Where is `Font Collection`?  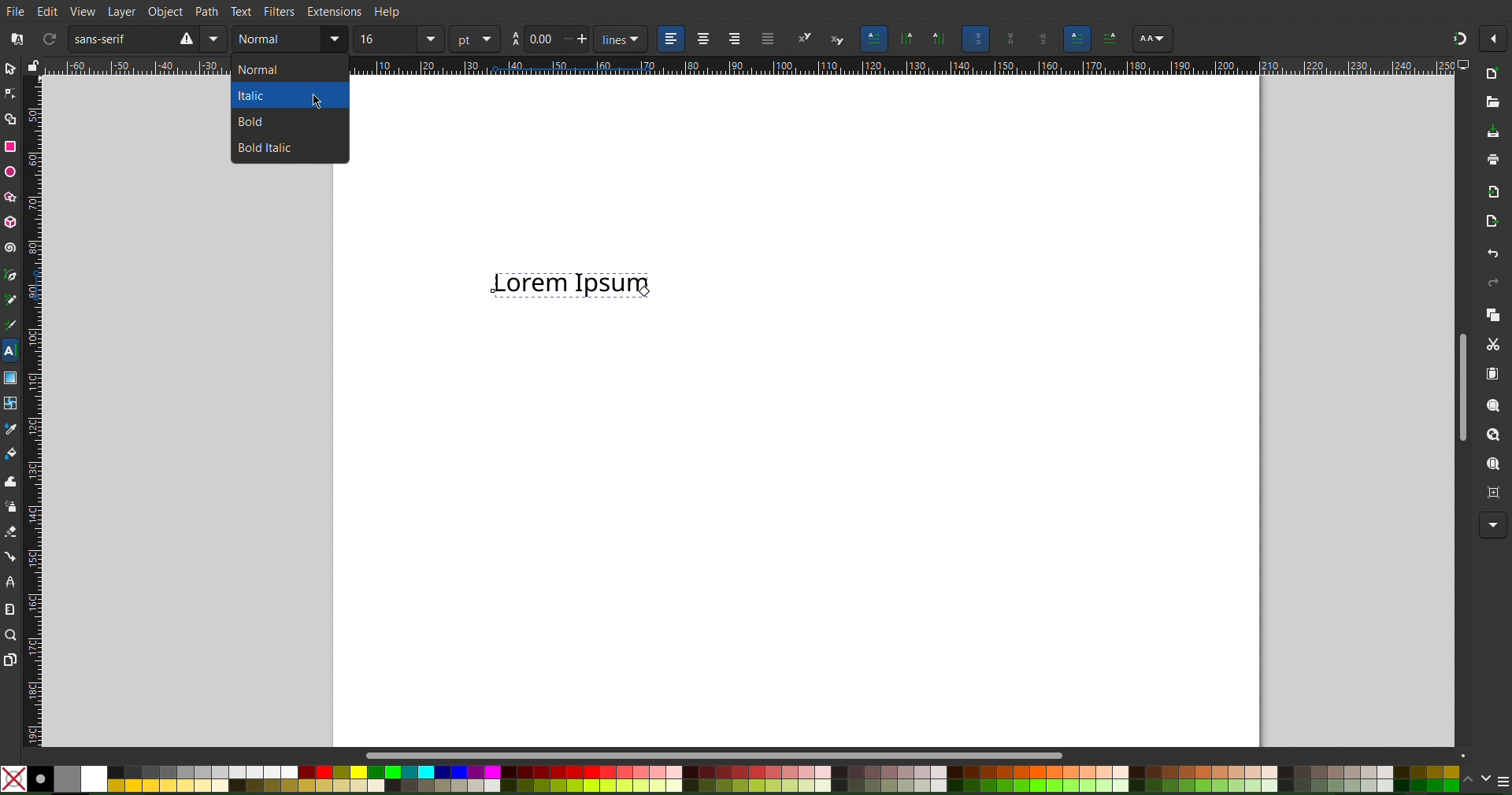
Font Collection is located at coordinates (15, 39).